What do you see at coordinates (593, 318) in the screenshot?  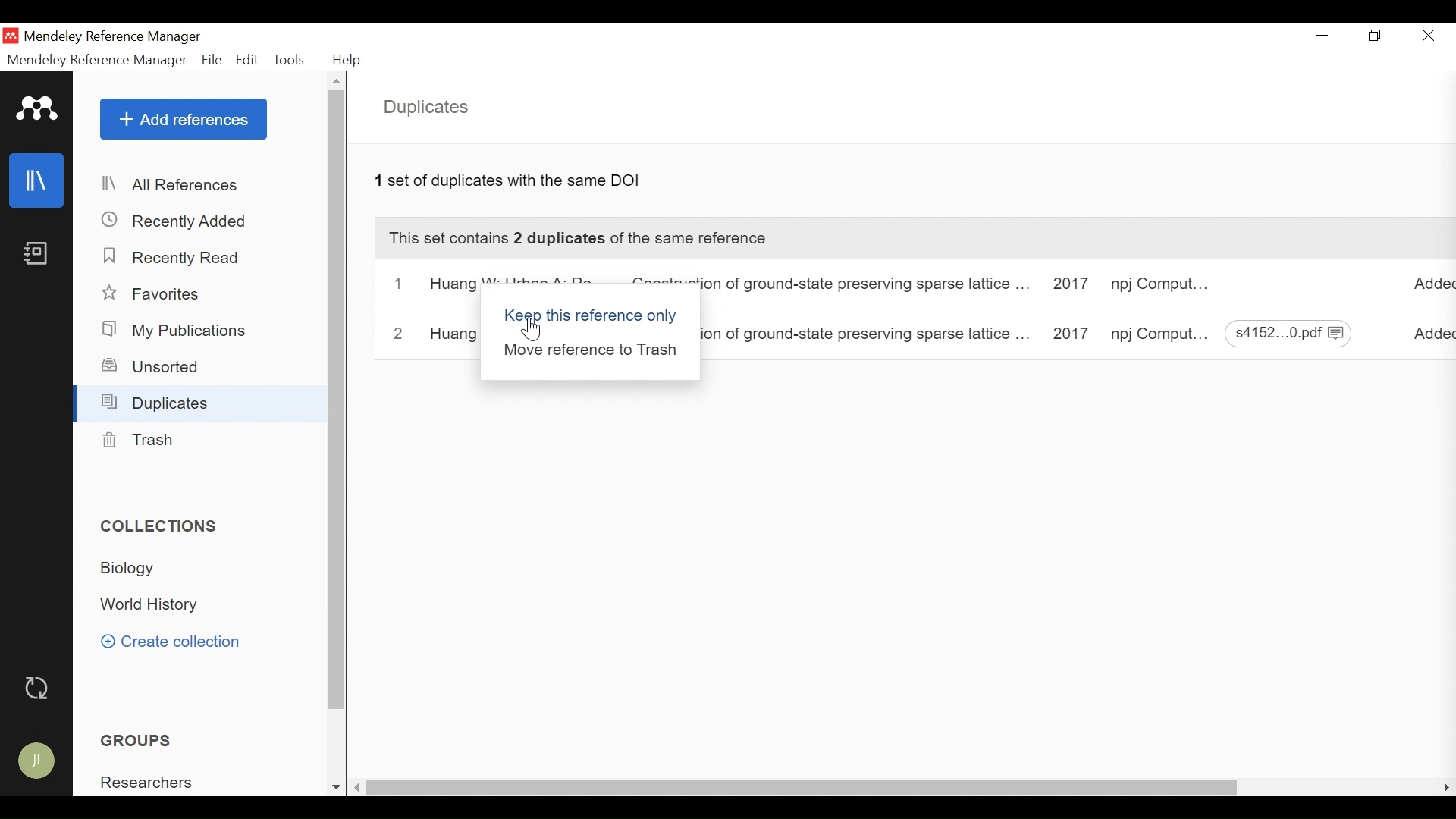 I see `keep this reference only` at bounding box center [593, 318].